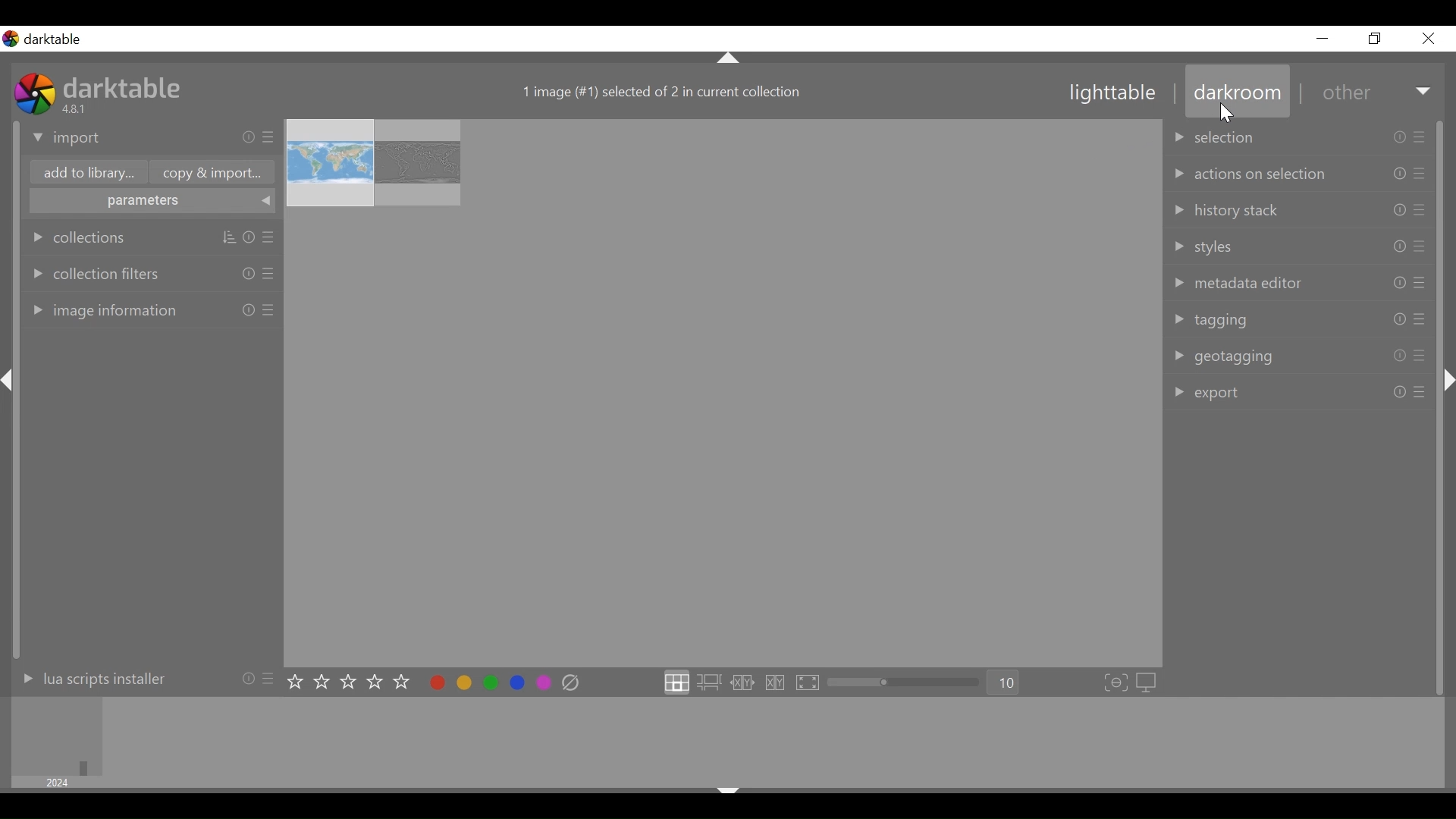  I want to click on Collapse , so click(1447, 380).